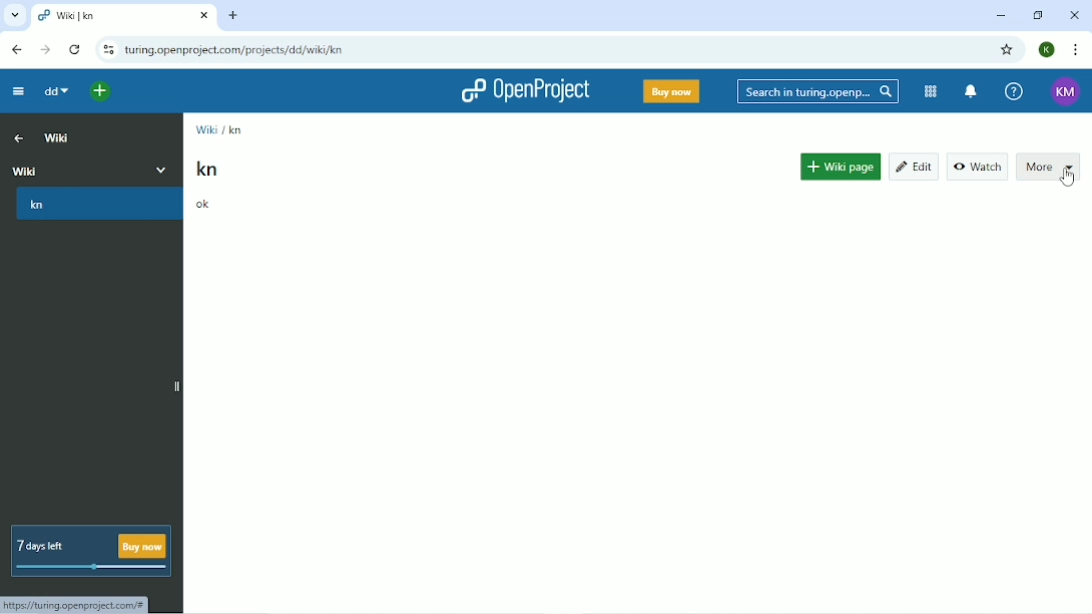 The height and width of the screenshot is (614, 1092). Describe the element at coordinates (203, 205) in the screenshot. I see `ok` at that location.